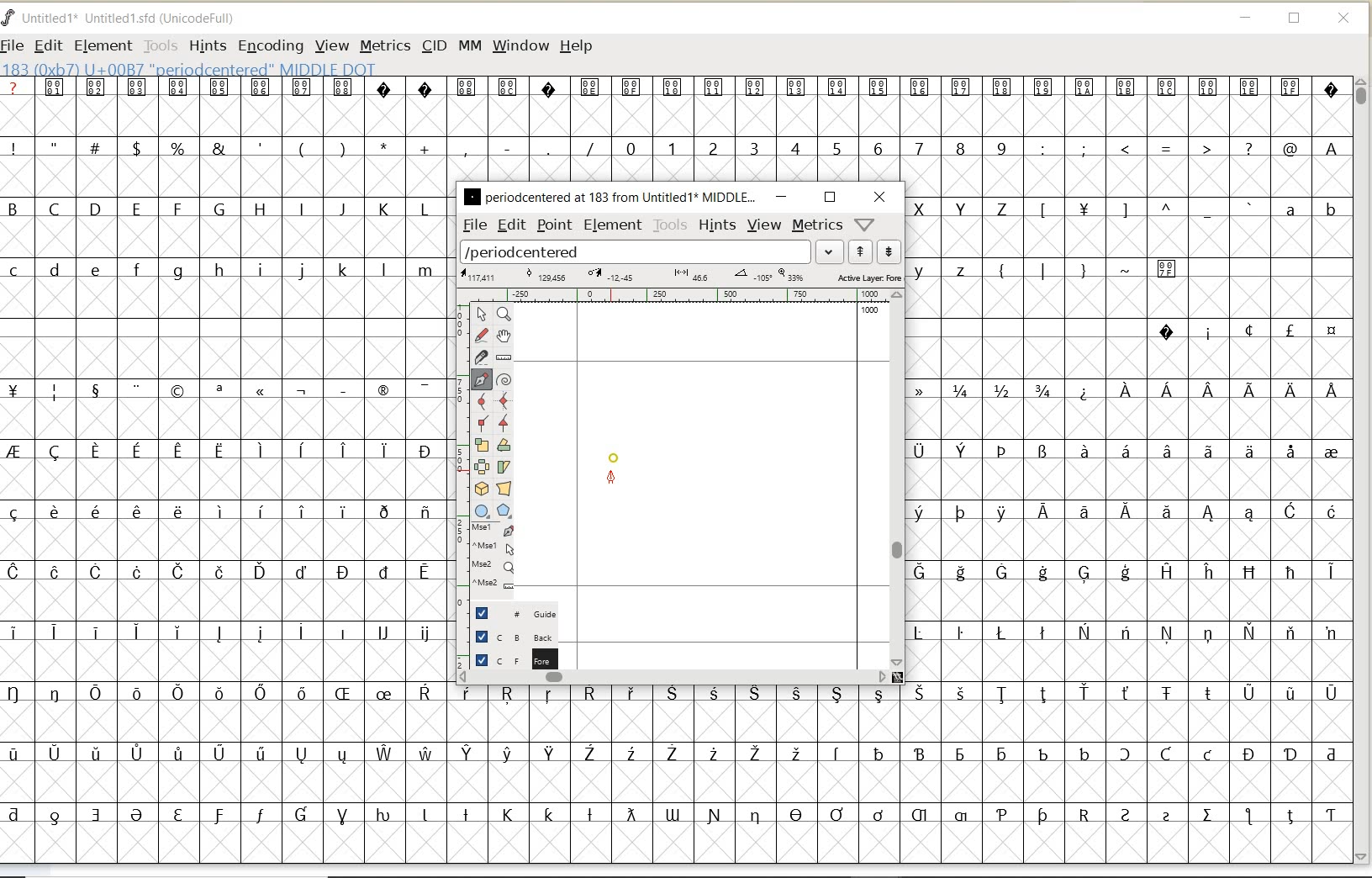  I want to click on perform a perspective transformation on the selection, so click(504, 489).